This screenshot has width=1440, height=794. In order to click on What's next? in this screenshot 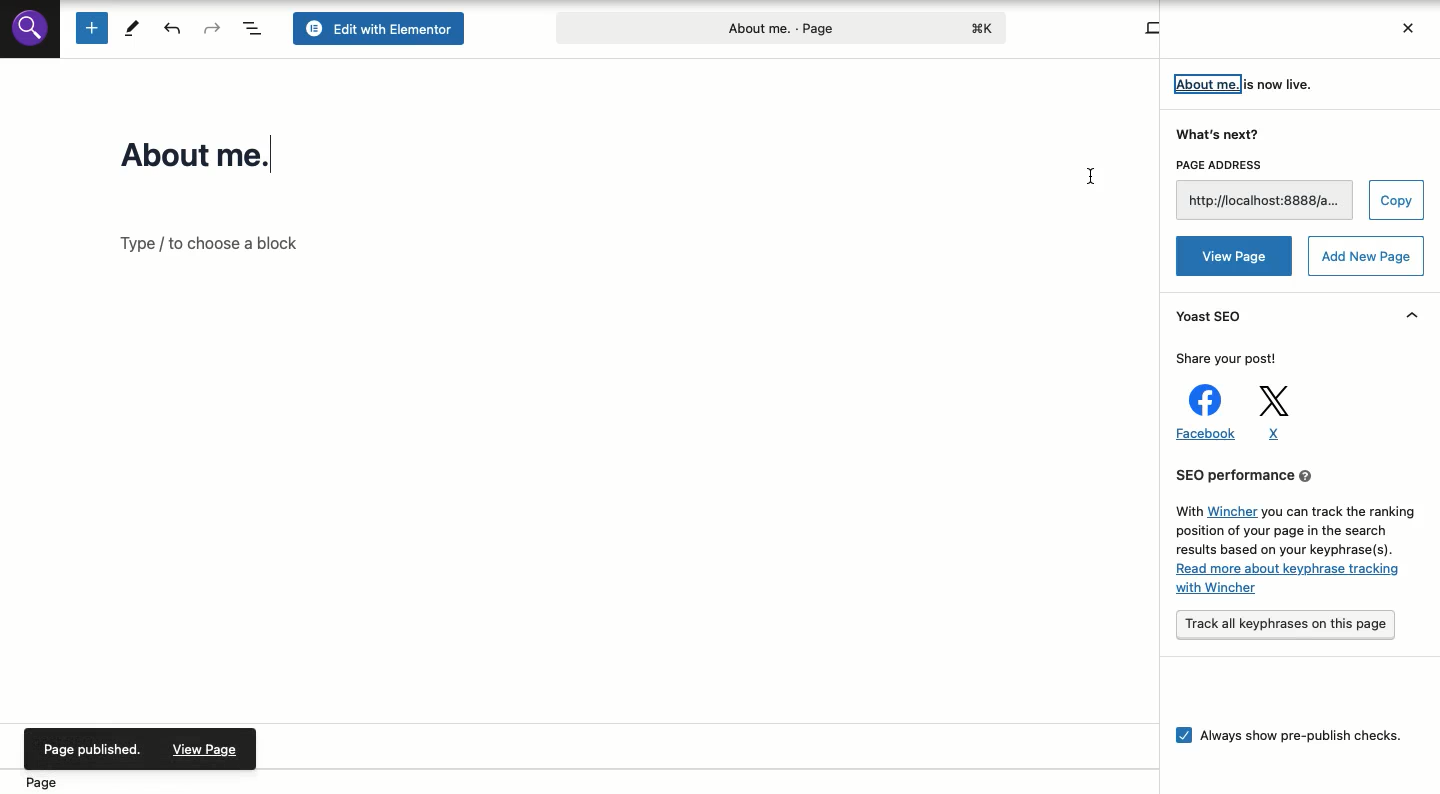, I will do `click(1221, 134)`.